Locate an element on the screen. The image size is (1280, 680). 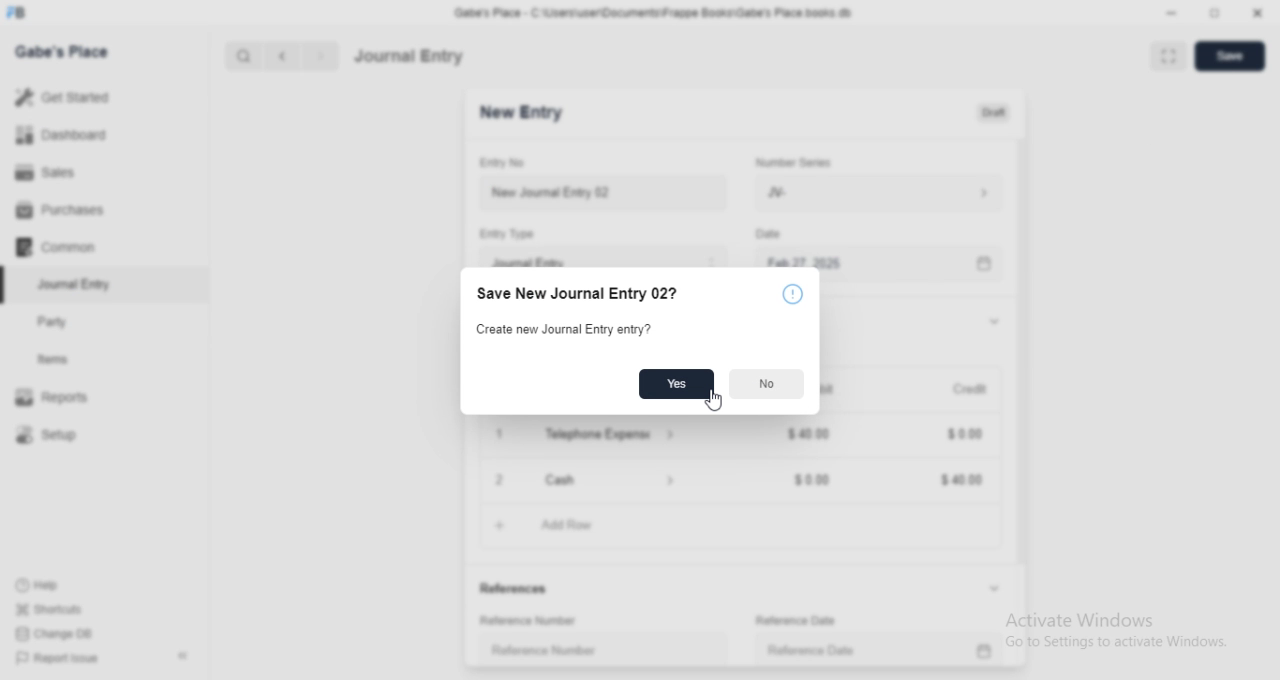
Create new Journal Entry entry? is located at coordinates (563, 329).